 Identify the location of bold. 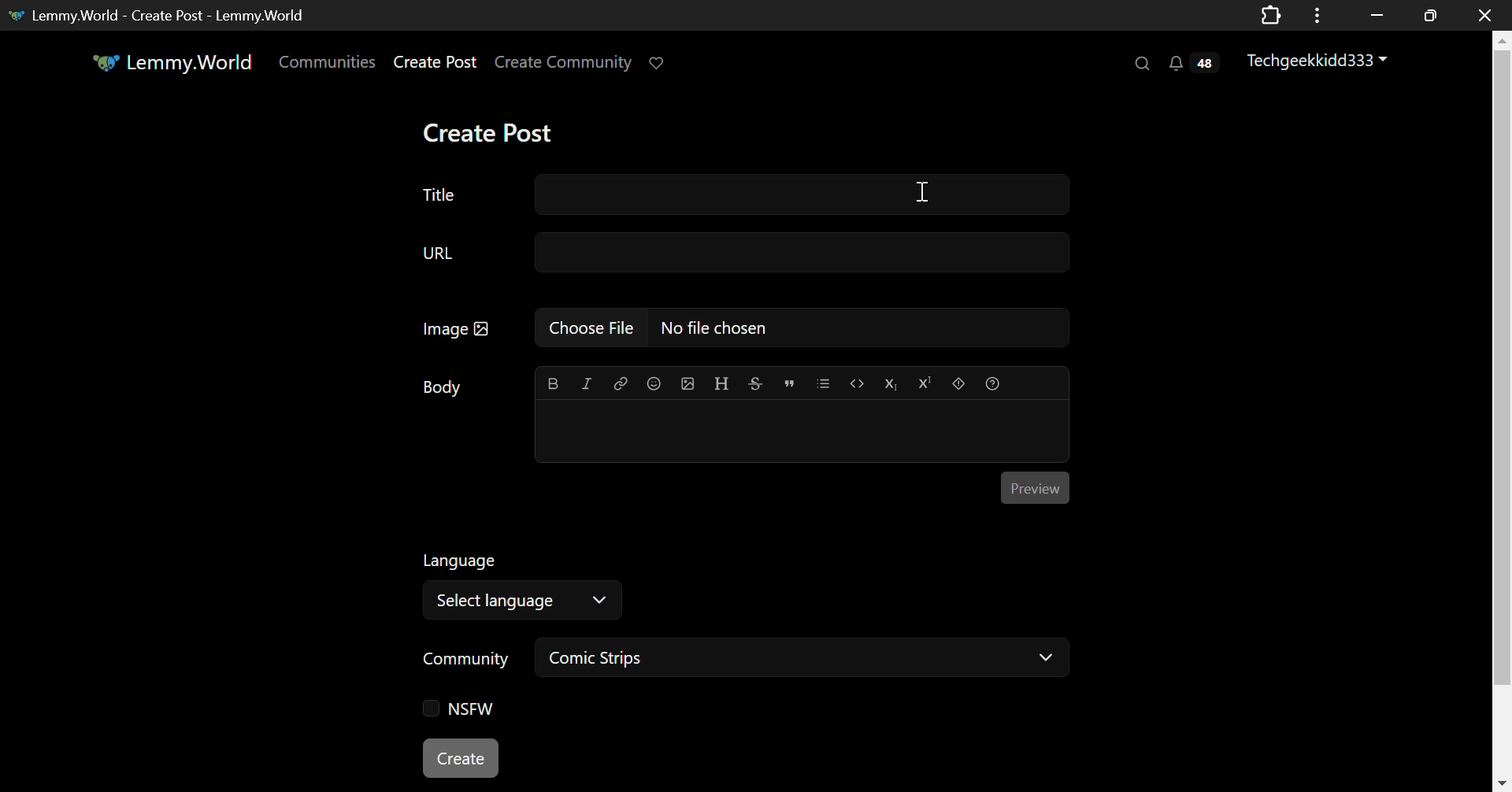
(550, 383).